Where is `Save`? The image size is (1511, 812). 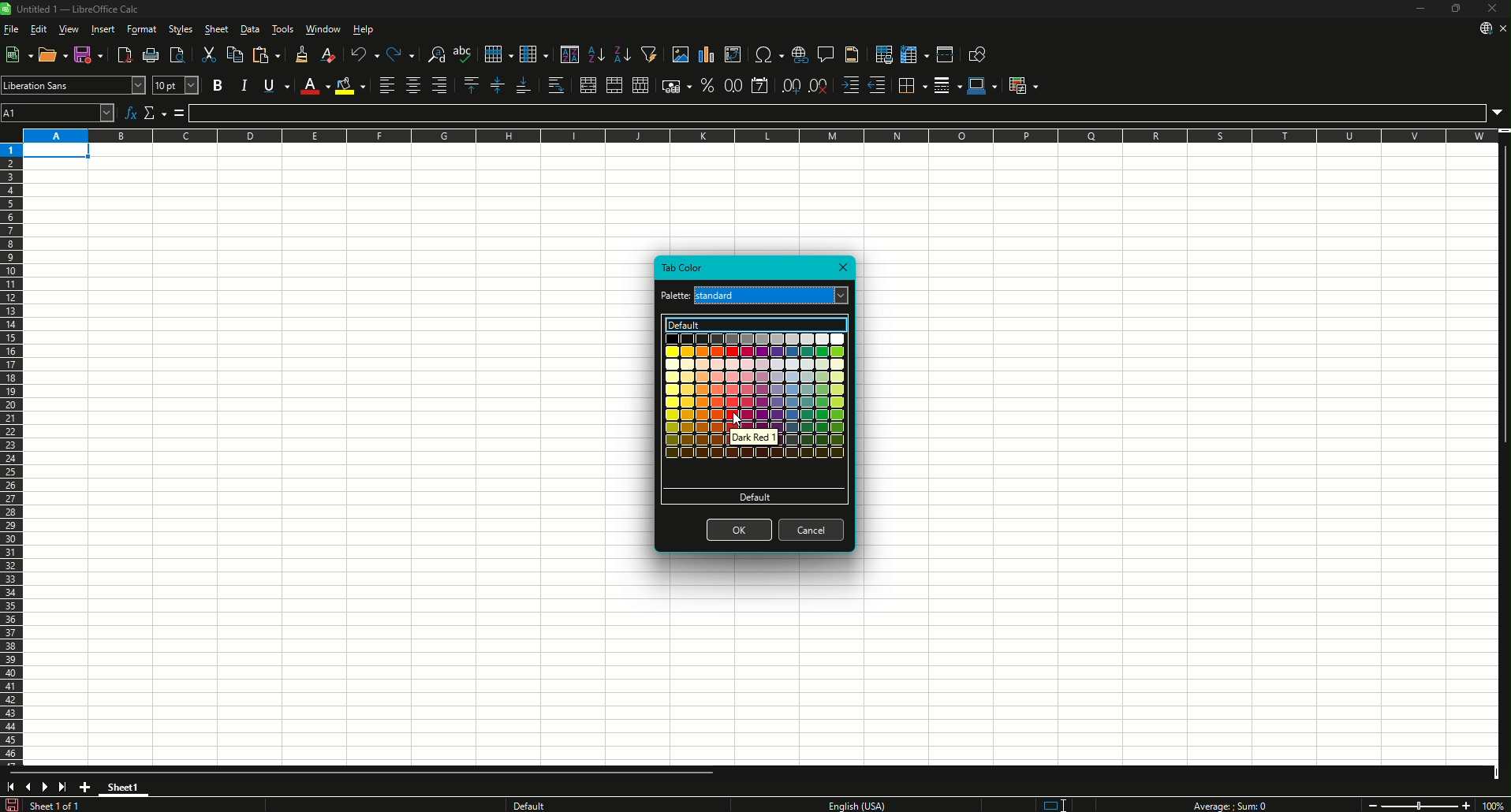
Save is located at coordinates (90, 54).